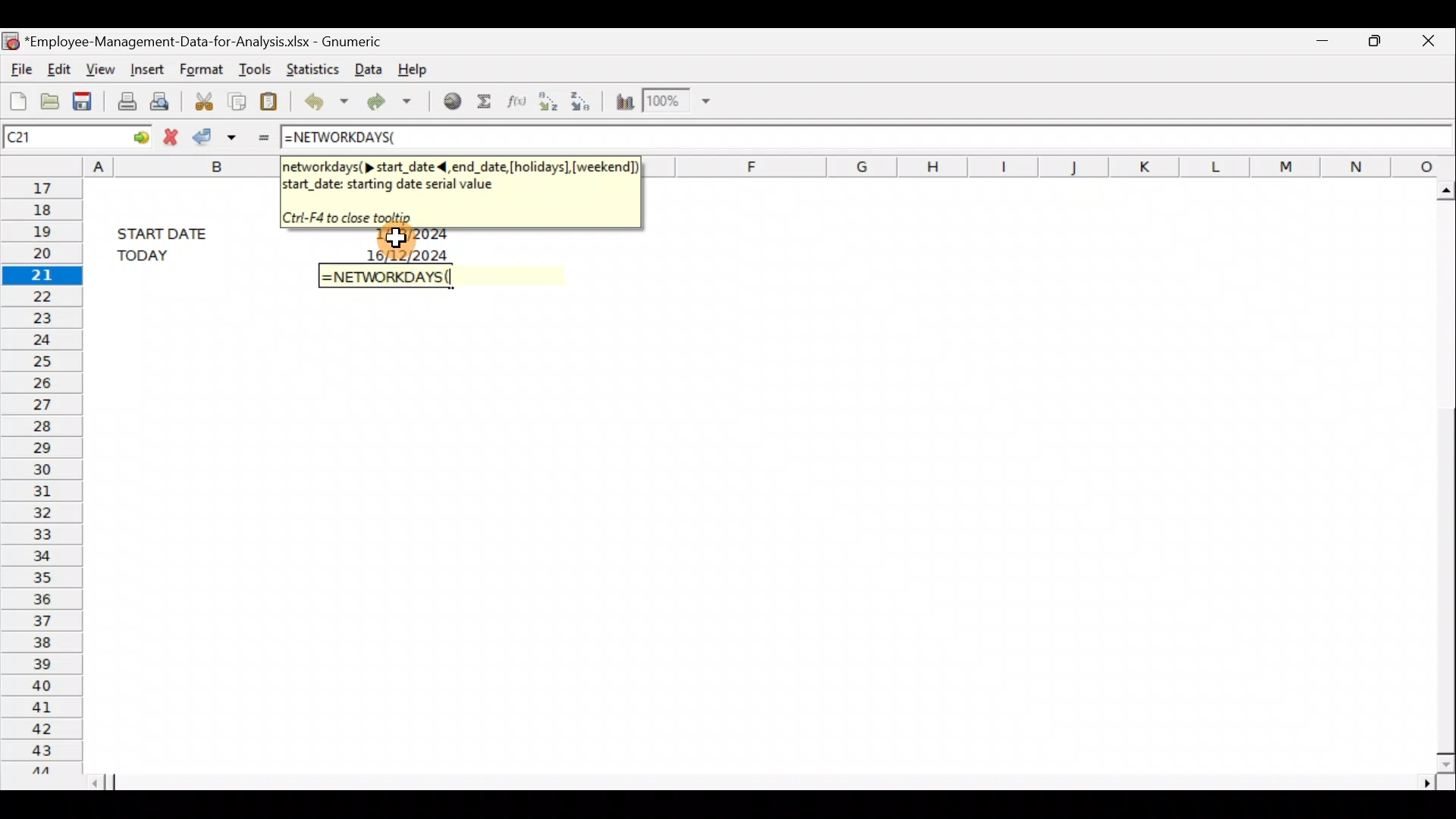 The width and height of the screenshot is (1456, 819). What do you see at coordinates (459, 190) in the screenshot?
I see `networkworkdays(> start_date >,end_date, [holidays], [weekend],start_date: starting date serial value. Ctrl +F4 to close tooltip` at bounding box center [459, 190].